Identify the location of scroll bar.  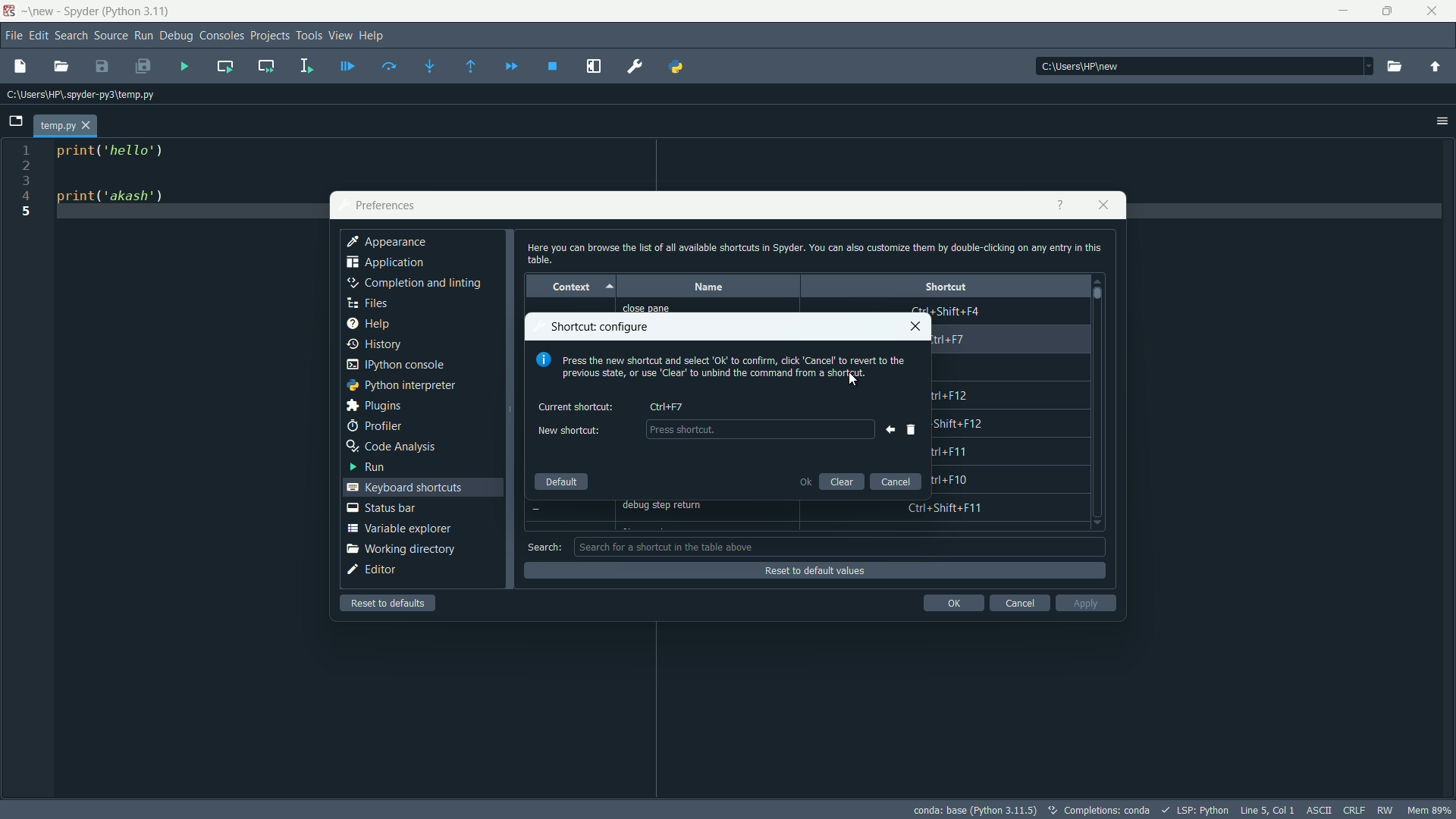
(1099, 293).